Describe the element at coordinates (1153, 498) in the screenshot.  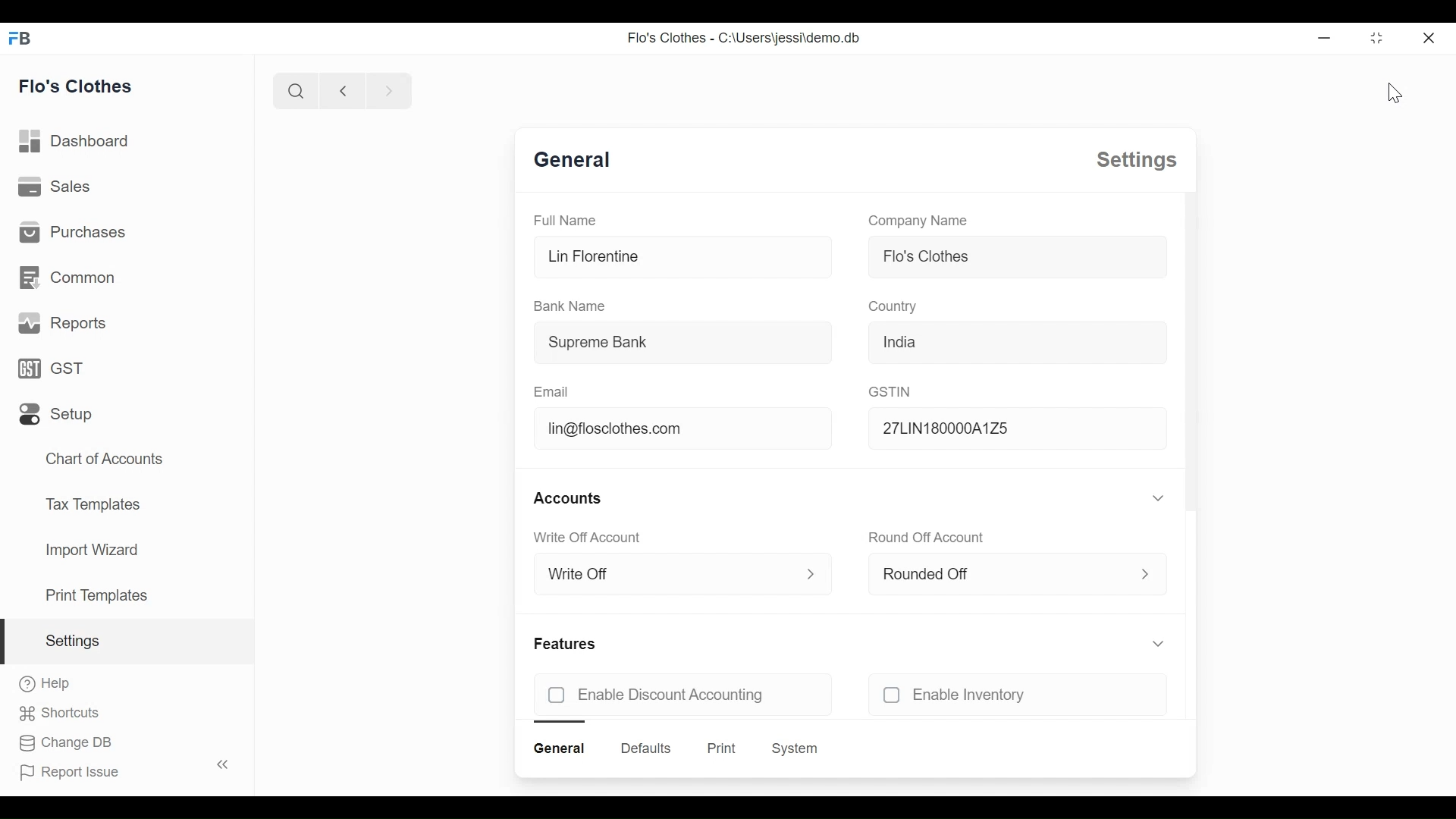
I see `Expand` at that location.